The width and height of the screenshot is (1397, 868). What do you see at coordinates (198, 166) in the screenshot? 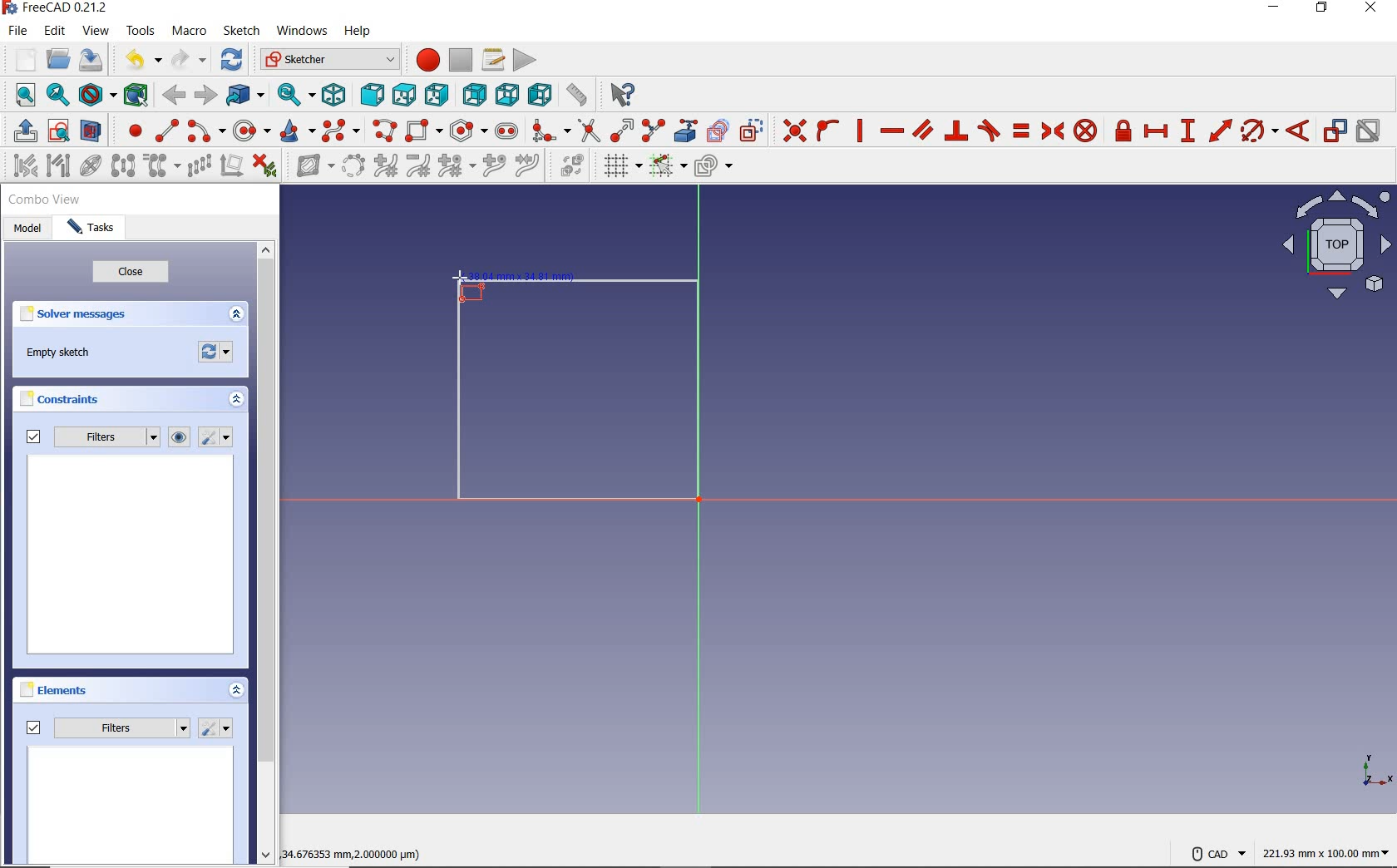
I see `rectangular array` at bounding box center [198, 166].